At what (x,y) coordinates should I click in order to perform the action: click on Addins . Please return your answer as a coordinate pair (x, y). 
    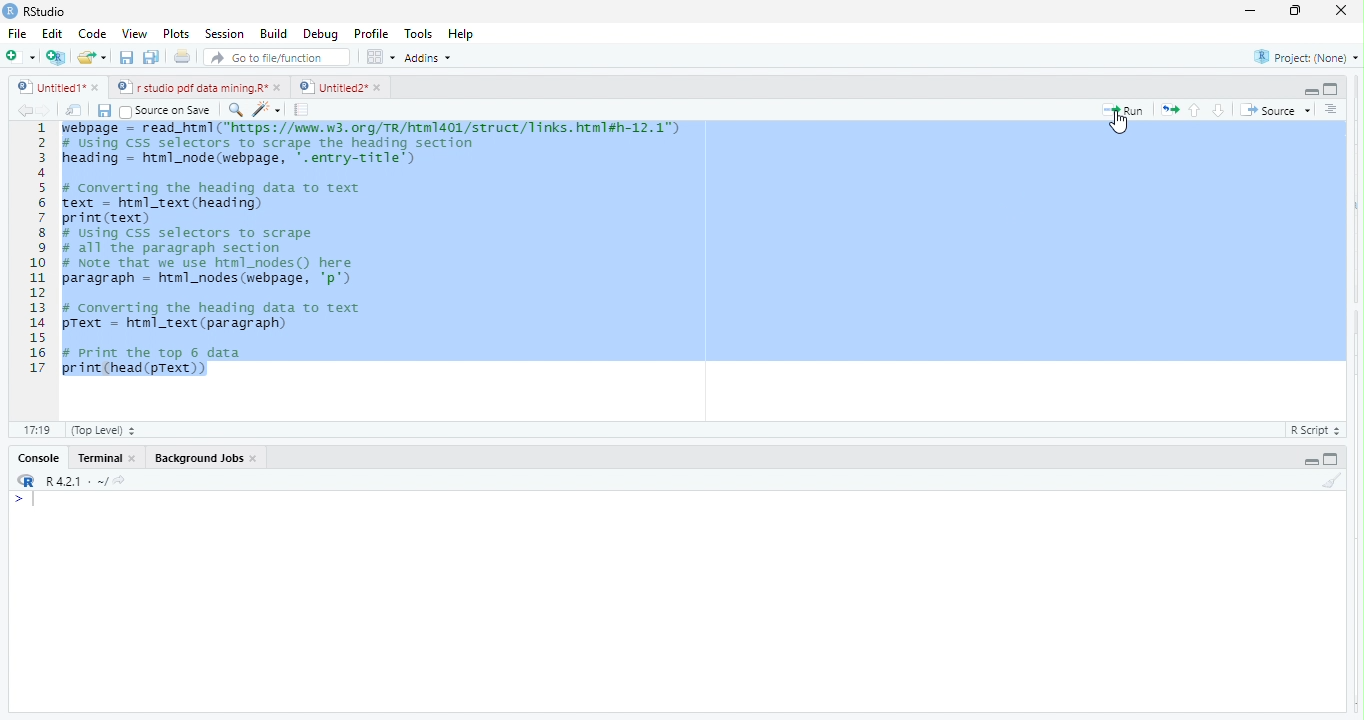
    Looking at the image, I should click on (432, 57).